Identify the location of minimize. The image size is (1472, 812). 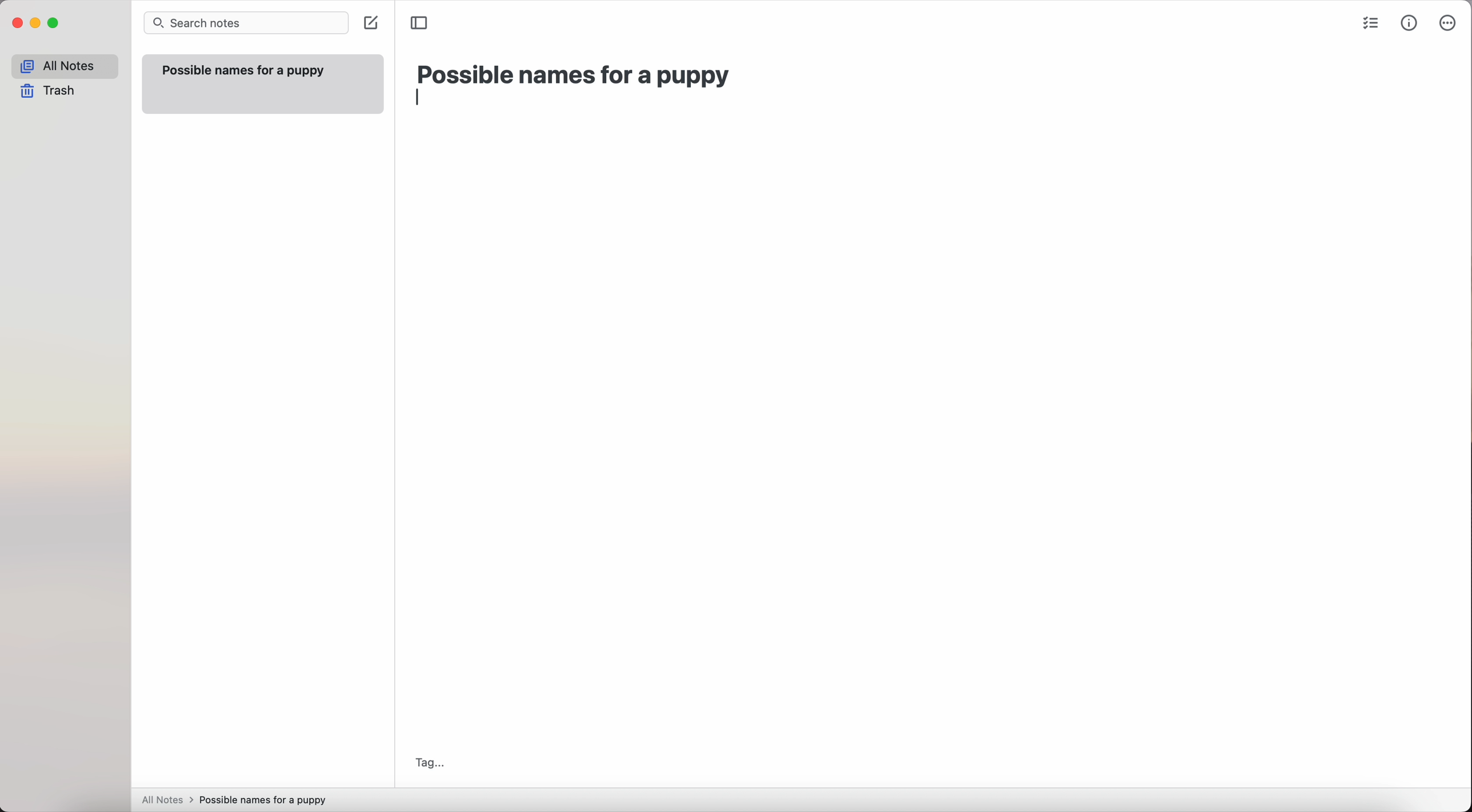
(36, 24).